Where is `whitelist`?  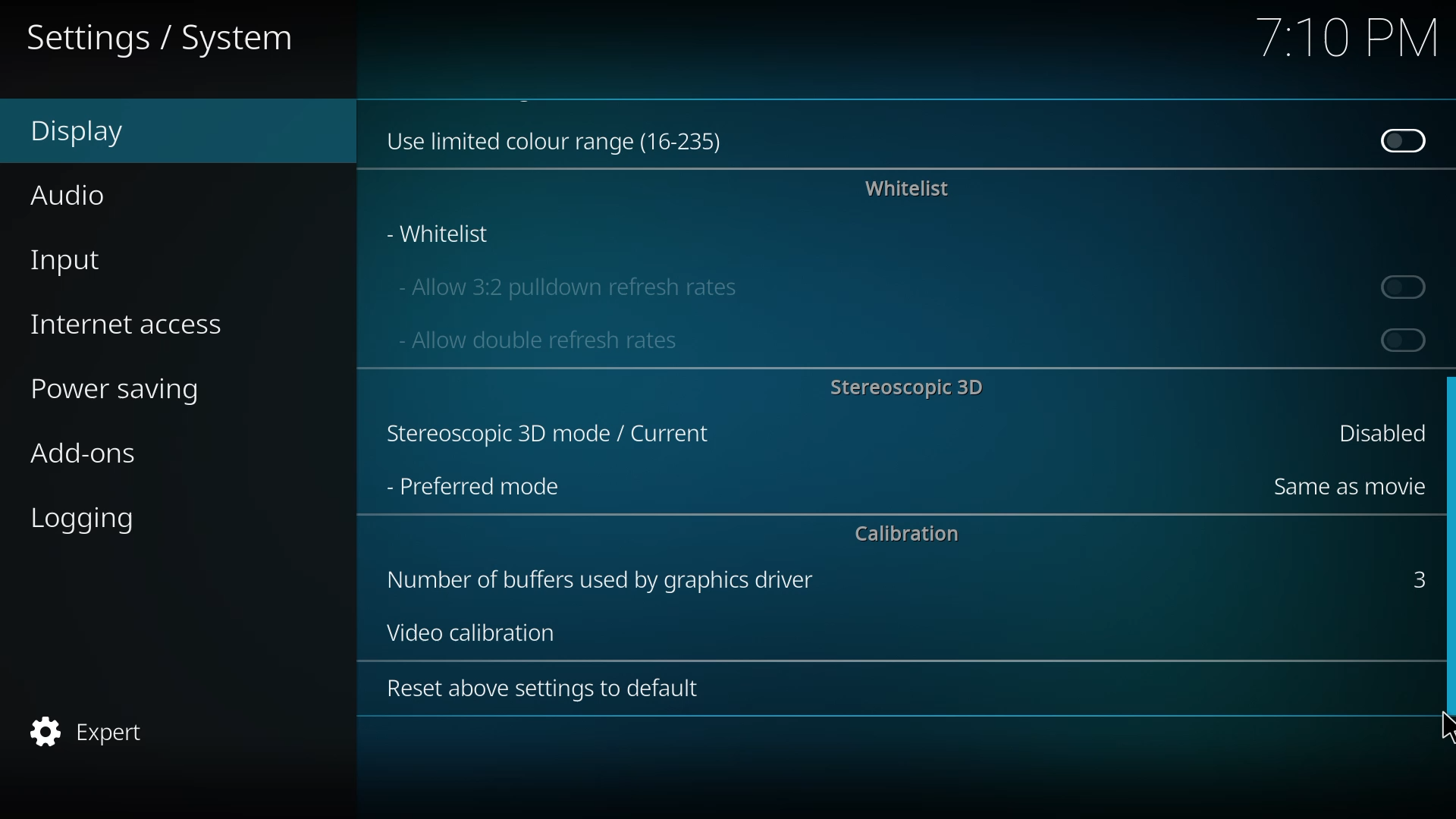
whitelist is located at coordinates (441, 234).